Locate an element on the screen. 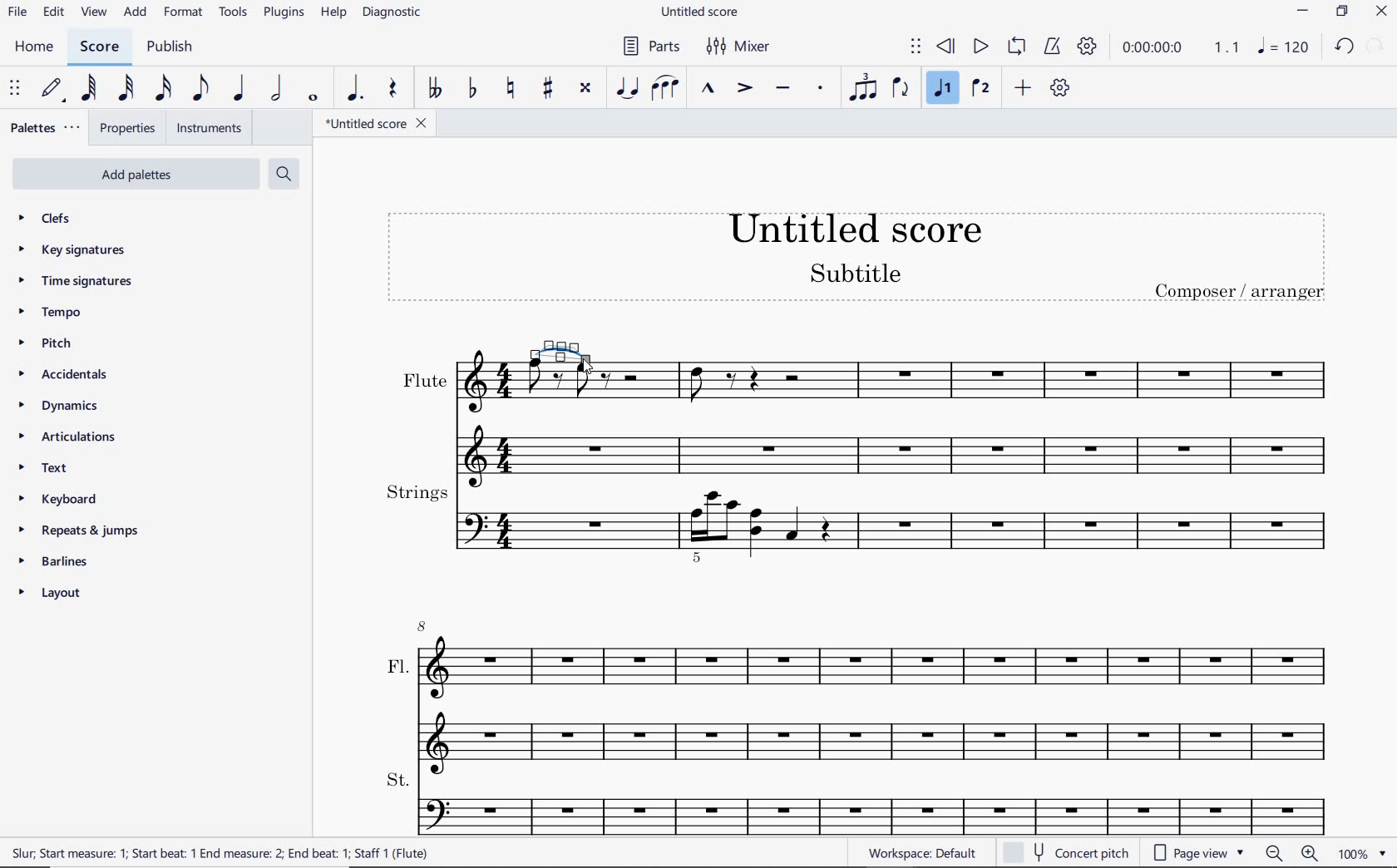 The width and height of the screenshot is (1397, 868). DIAGNOSTIC is located at coordinates (398, 13).